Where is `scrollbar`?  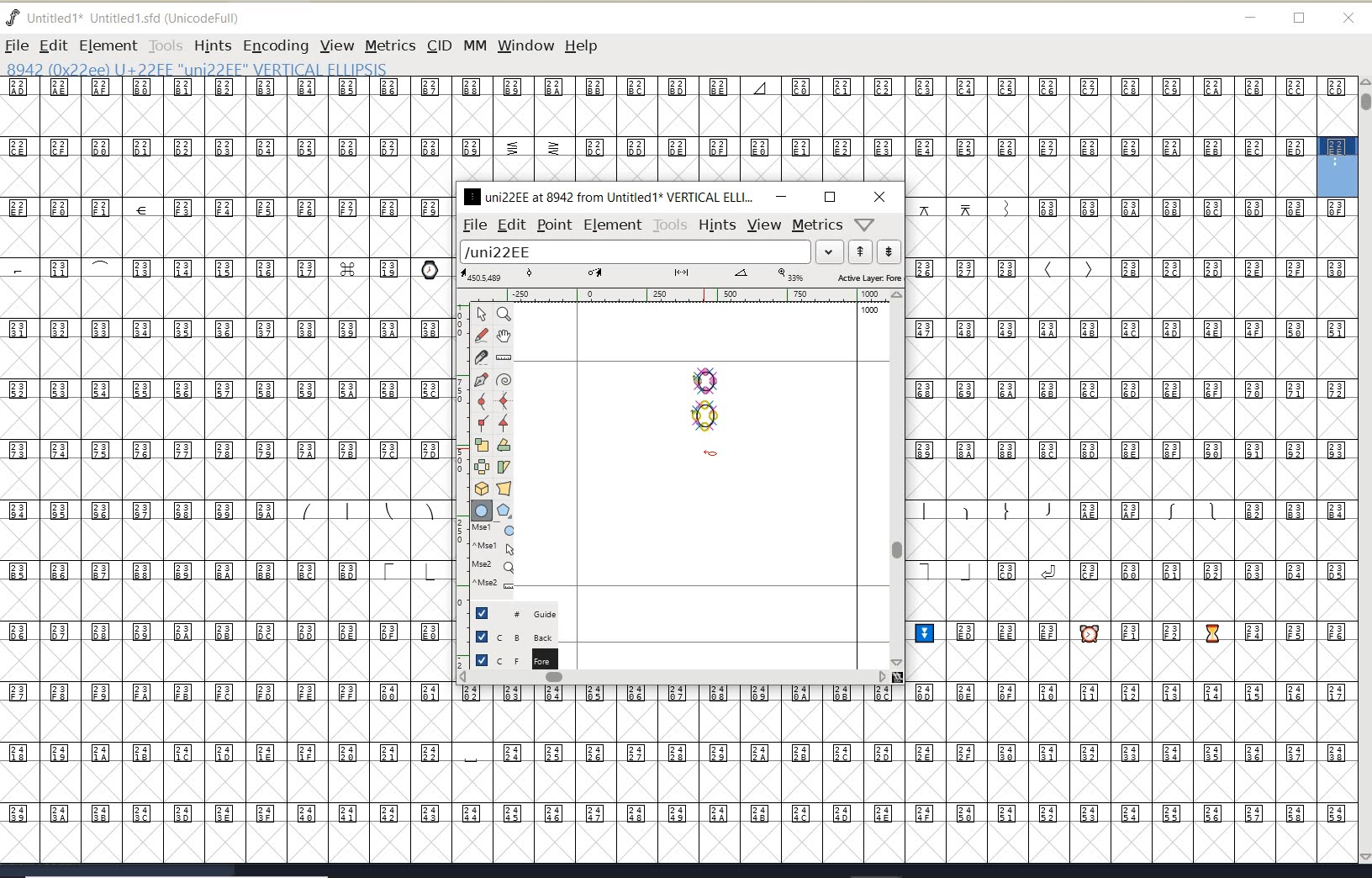 scrollbar is located at coordinates (673, 679).